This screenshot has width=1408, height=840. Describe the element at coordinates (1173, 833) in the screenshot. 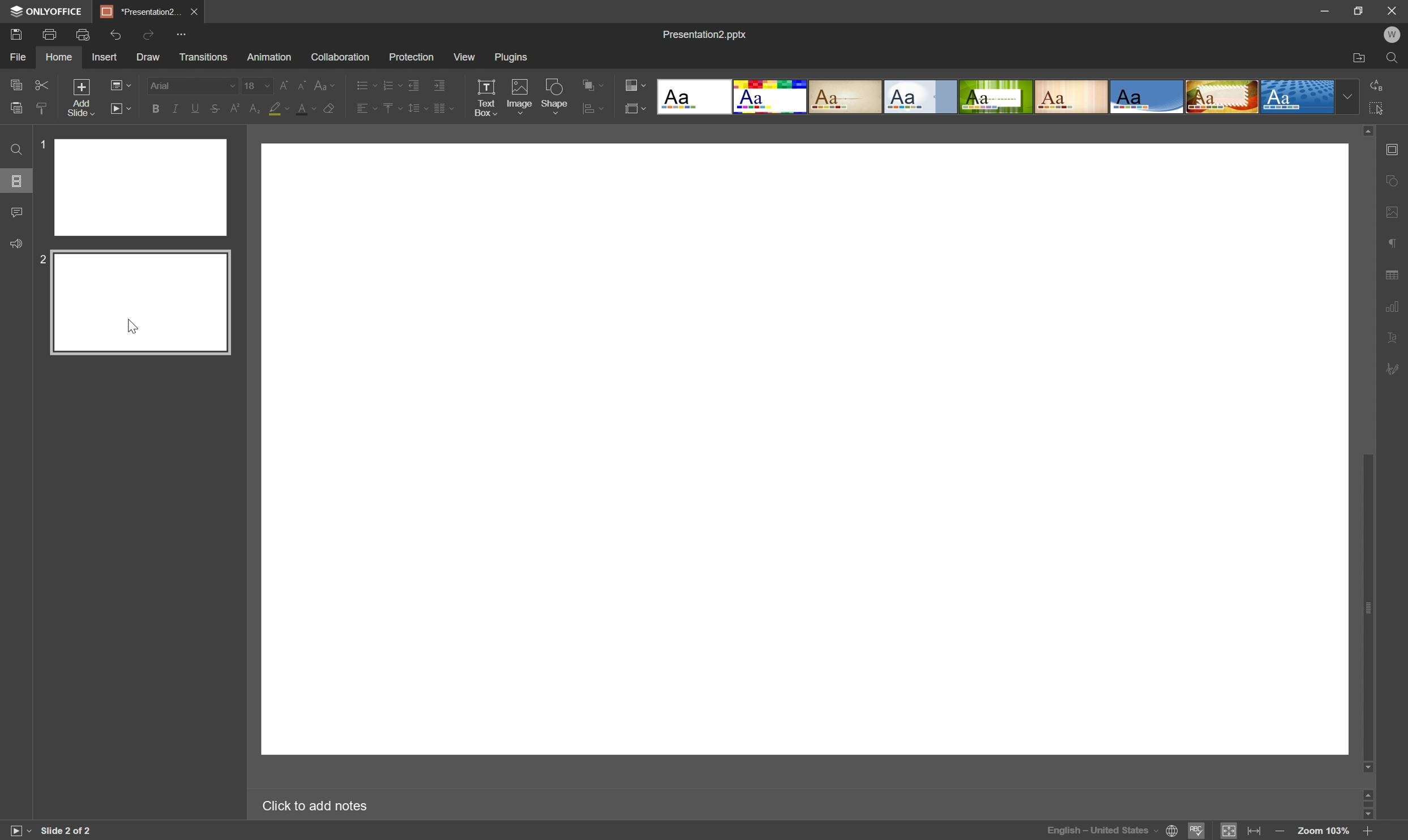

I see `Set document language` at that location.